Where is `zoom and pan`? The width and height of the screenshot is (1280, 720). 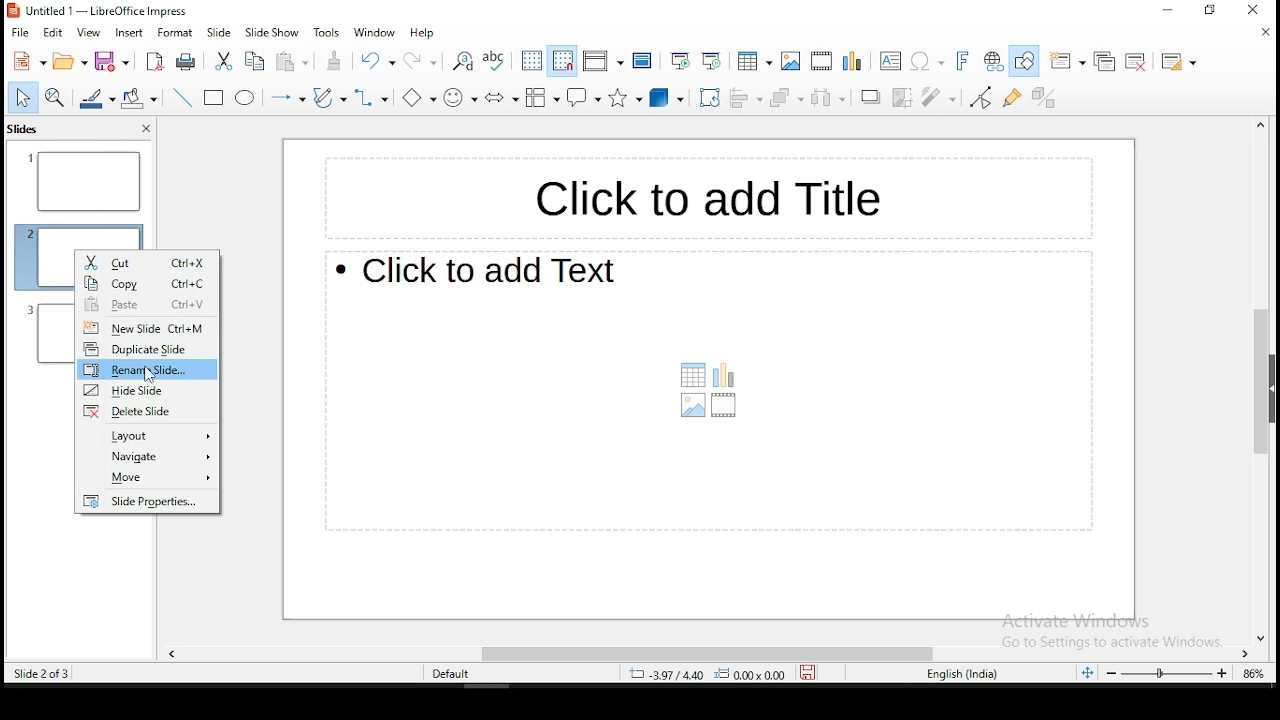 zoom and pan is located at coordinates (55, 97).